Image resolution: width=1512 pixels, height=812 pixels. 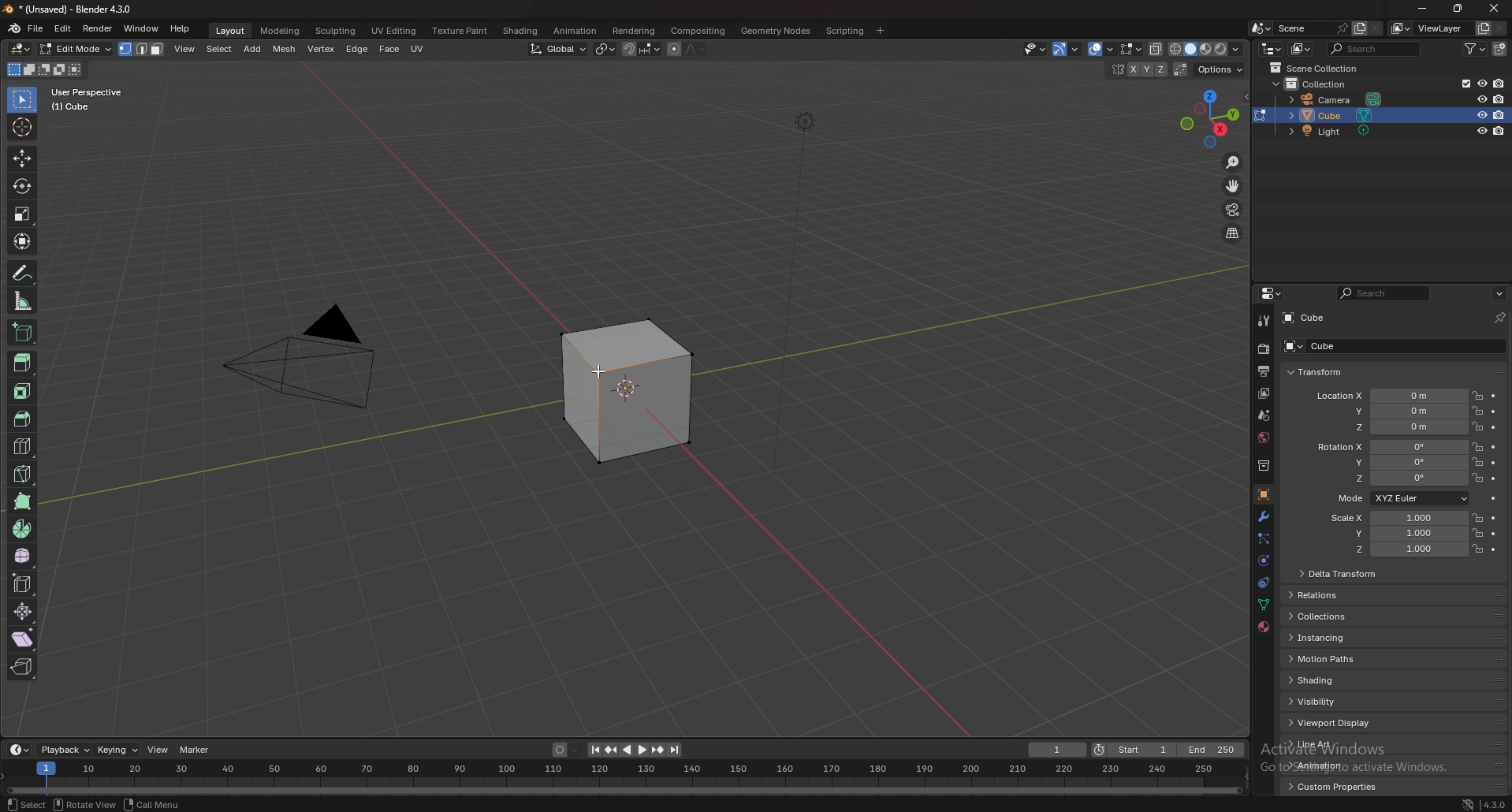 What do you see at coordinates (22, 502) in the screenshot?
I see `polybuild` at bounding box center [22, 502].